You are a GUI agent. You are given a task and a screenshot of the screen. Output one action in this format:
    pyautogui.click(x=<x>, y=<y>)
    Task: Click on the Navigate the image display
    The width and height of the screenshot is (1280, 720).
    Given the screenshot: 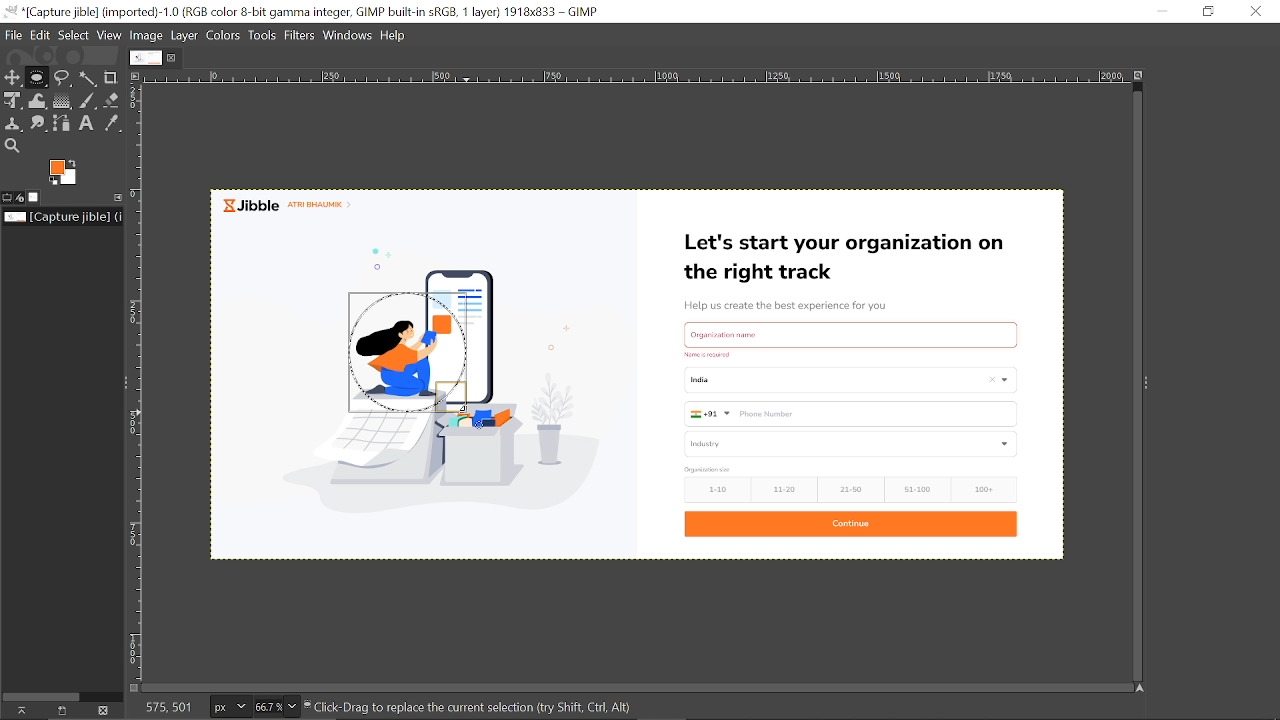 What is the action you would take?
    pyautogui.click(x=1138, y=688)
    